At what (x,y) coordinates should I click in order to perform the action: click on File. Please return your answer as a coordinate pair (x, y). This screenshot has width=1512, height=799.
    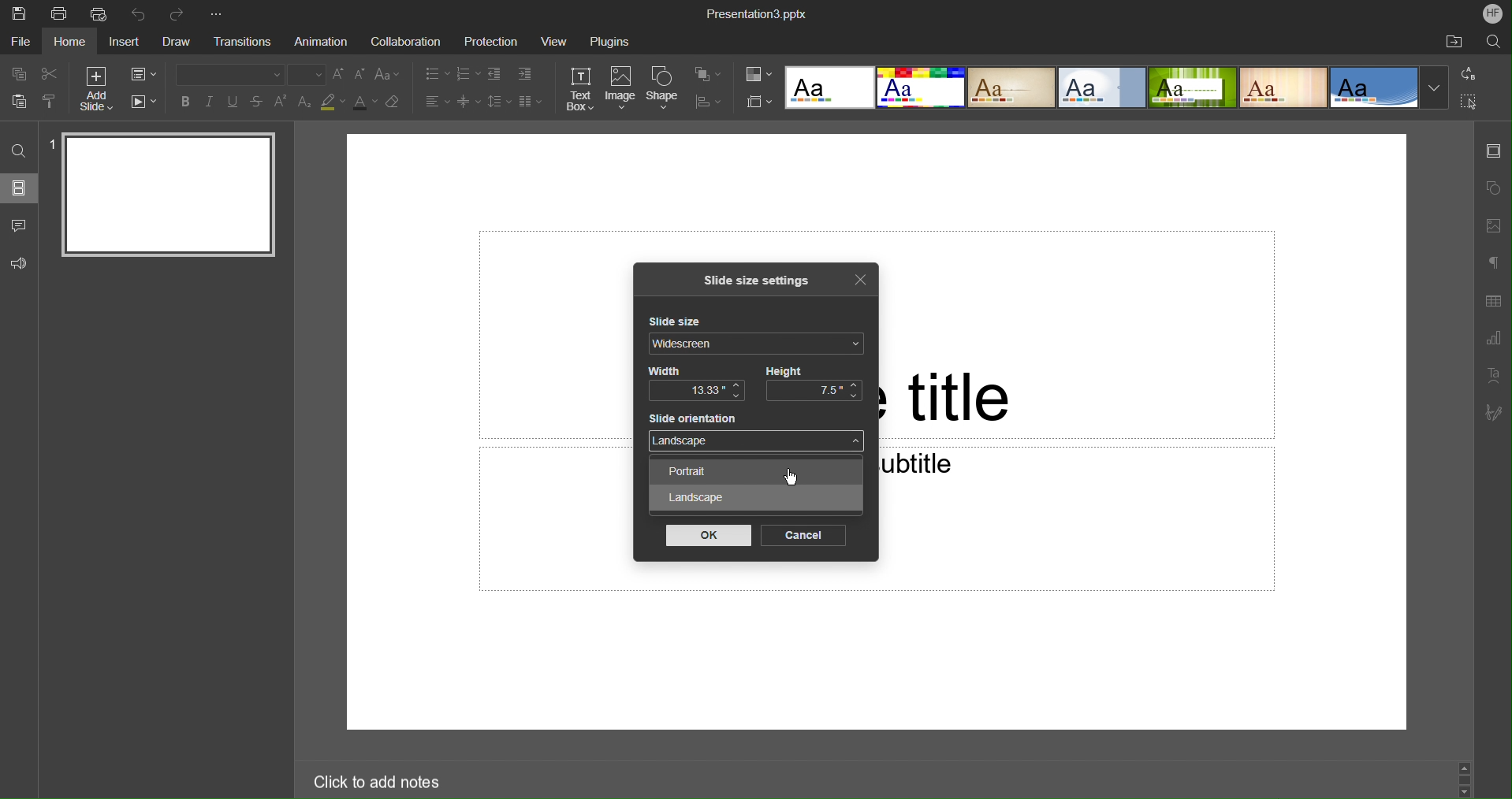
    Looking at the image, I should click on (19, 43).